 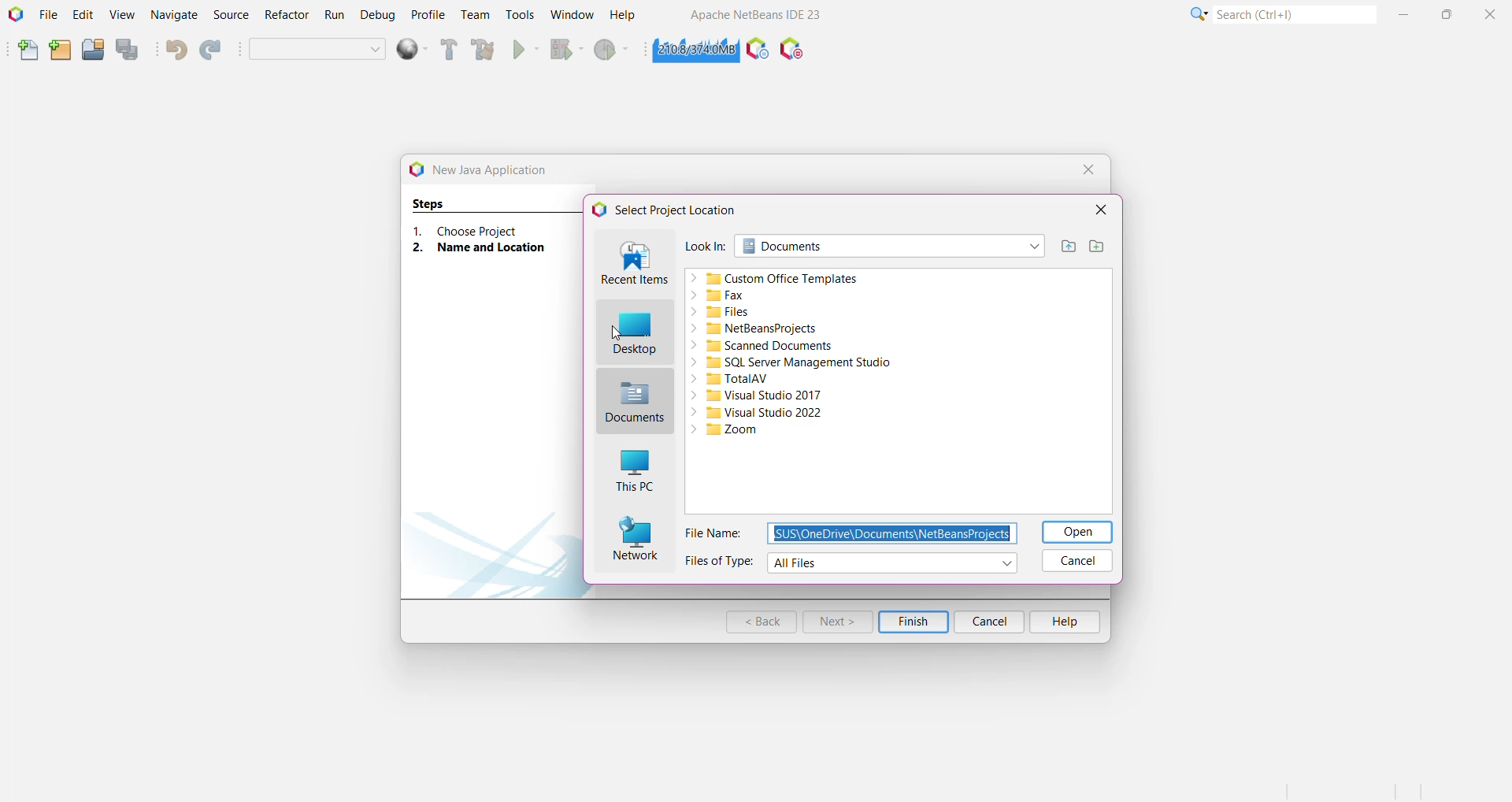 I want to click on Open Project, so click(x=92, y=51).